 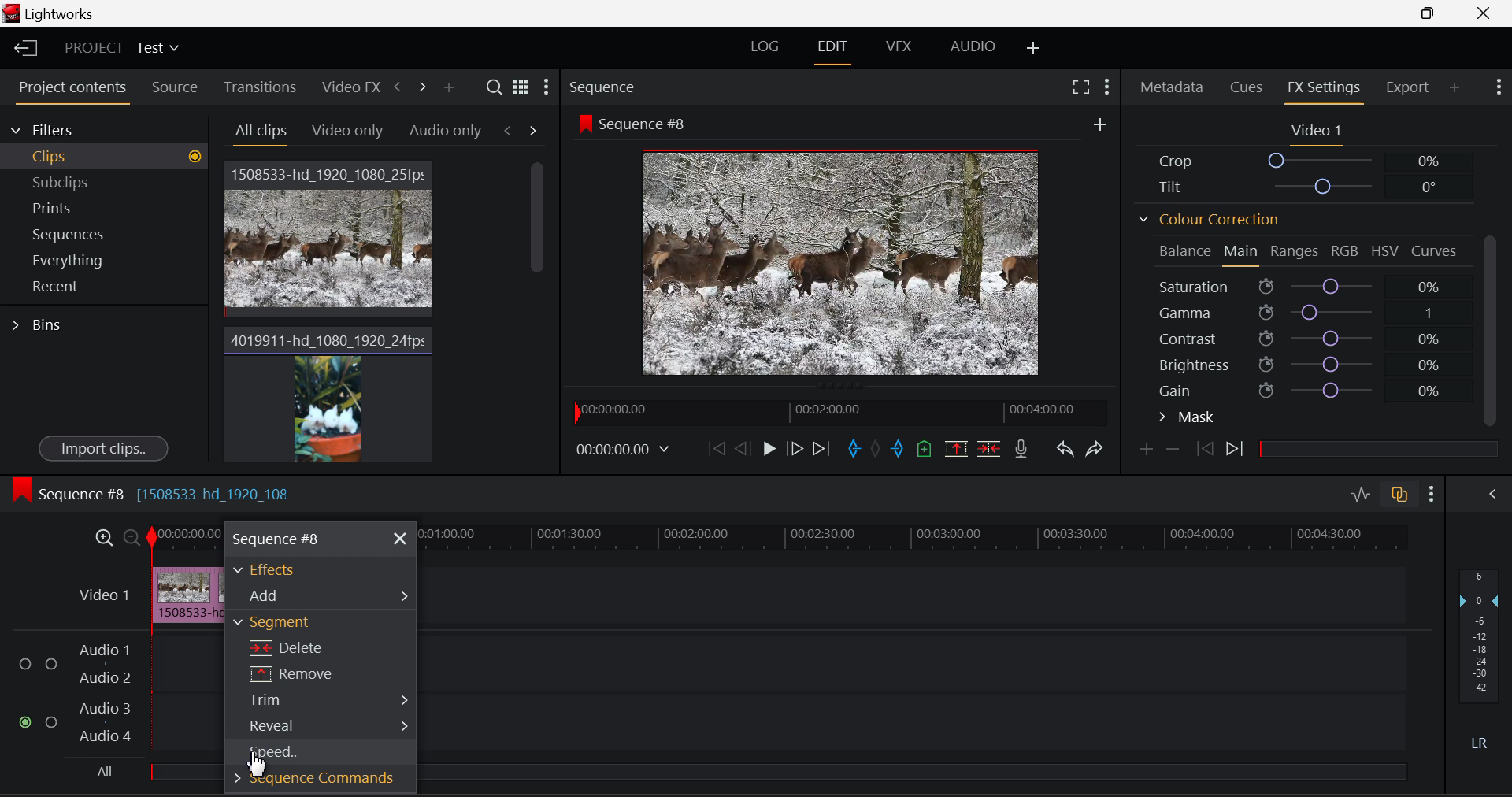 What do you see at coordinates (1345, 252) in the screenshot?
I see `RGB` at bounding box center [1345, 252].